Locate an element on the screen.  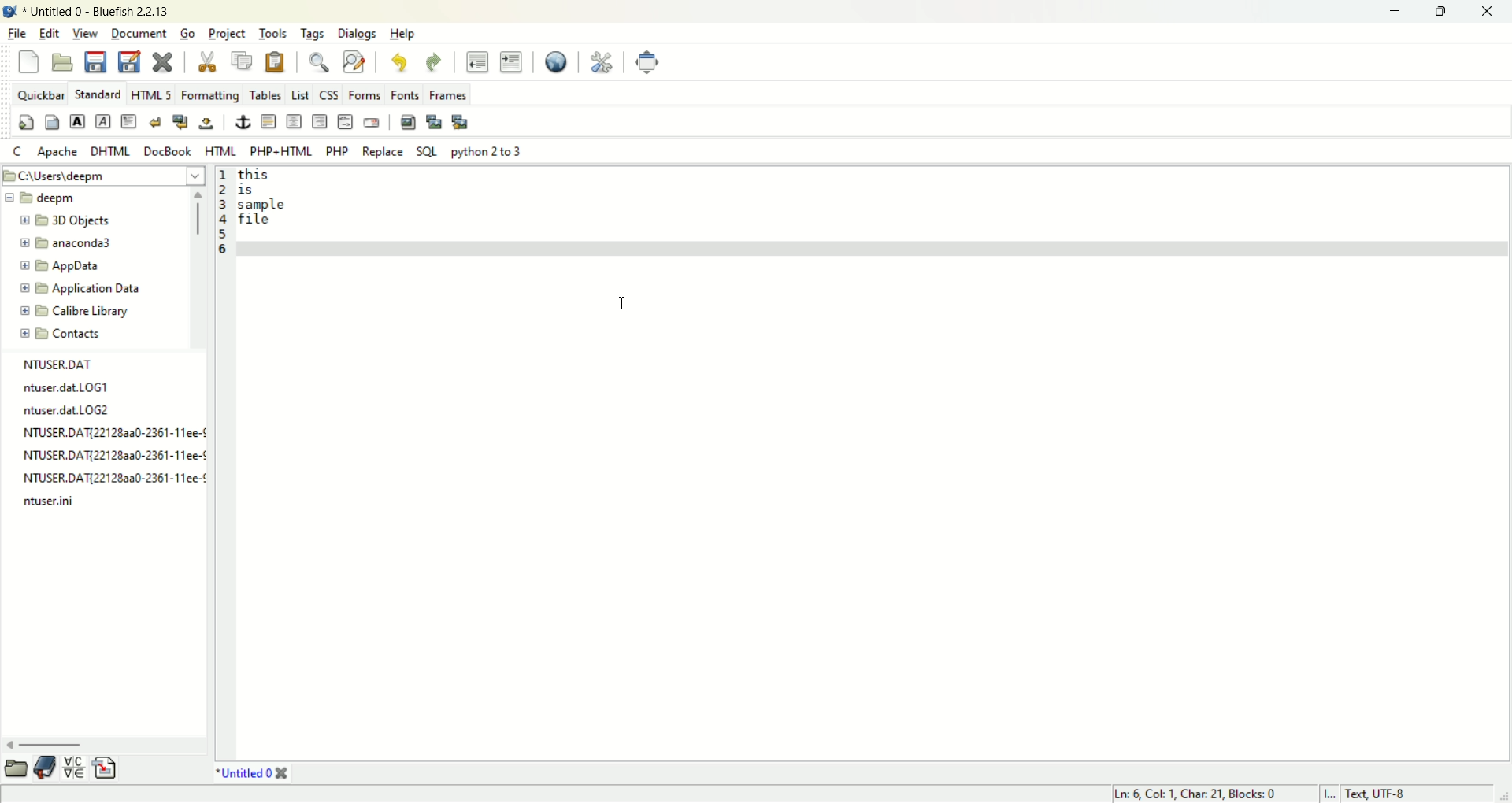
tags is located at coordinates (313, 35).